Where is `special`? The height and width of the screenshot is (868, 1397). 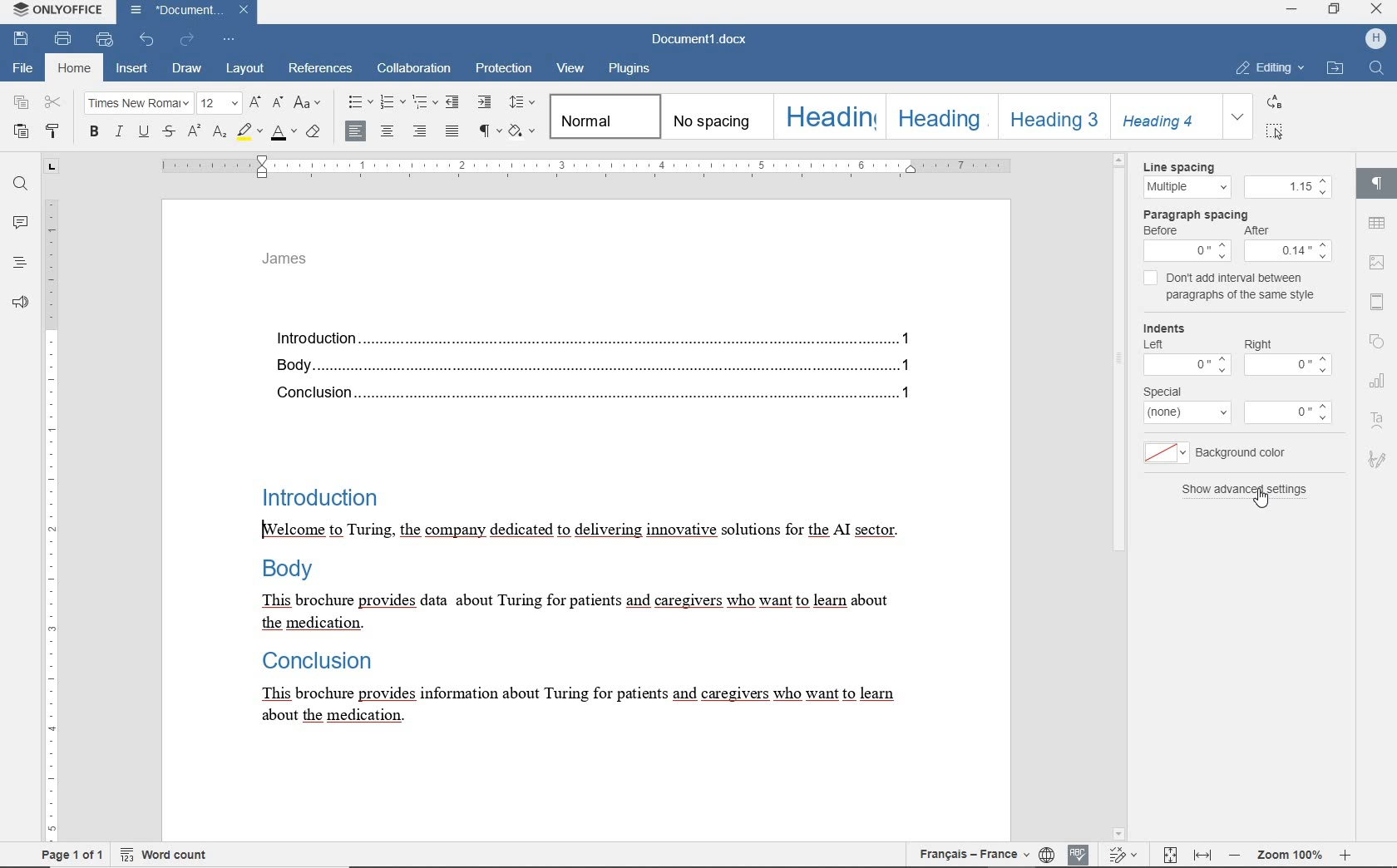 special is located at coordinates (1163, 391).